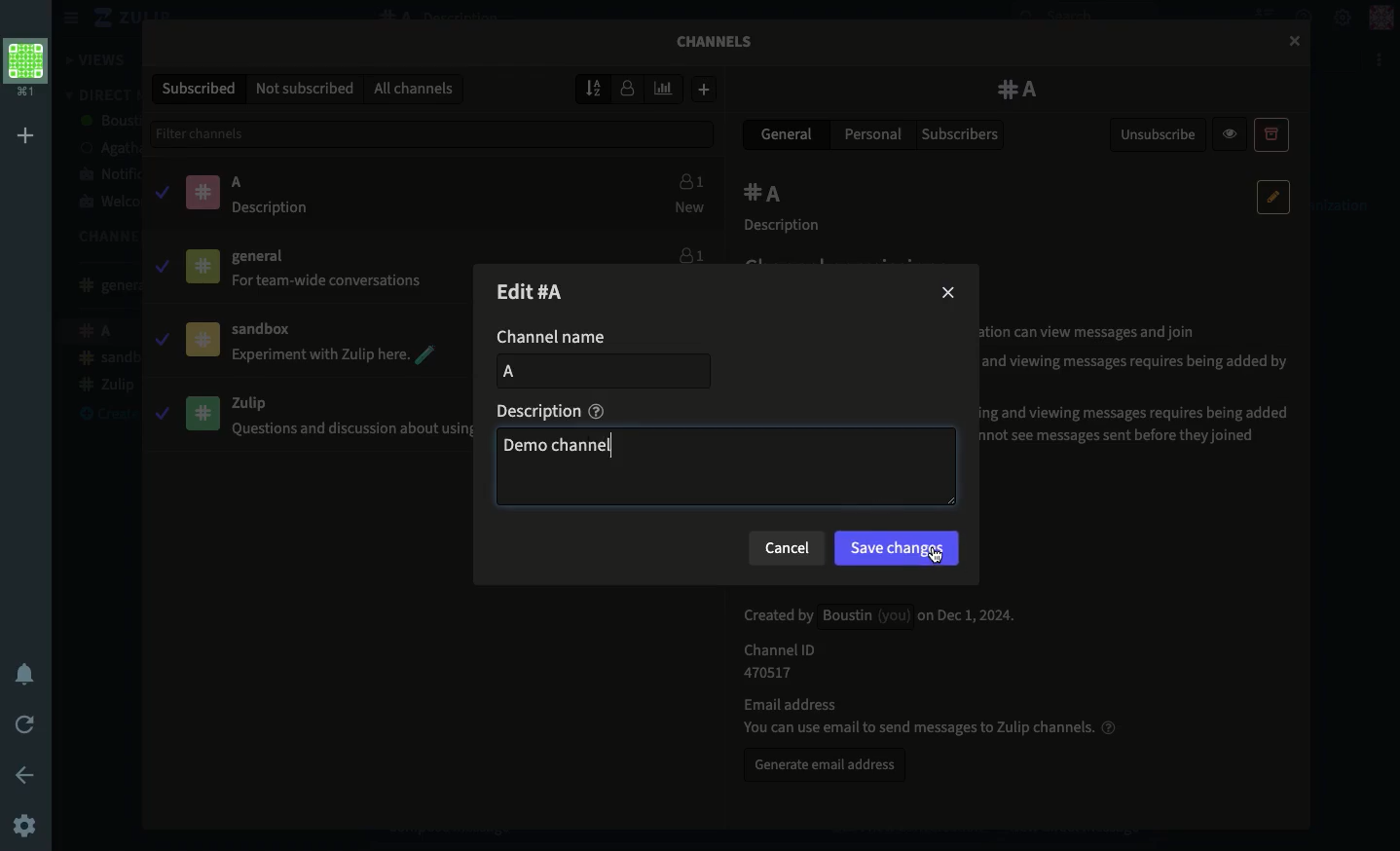  What do you see at coordinates (107, 173) in the screenshot?
I see `Notification bot` at bounding box center [107, 173].